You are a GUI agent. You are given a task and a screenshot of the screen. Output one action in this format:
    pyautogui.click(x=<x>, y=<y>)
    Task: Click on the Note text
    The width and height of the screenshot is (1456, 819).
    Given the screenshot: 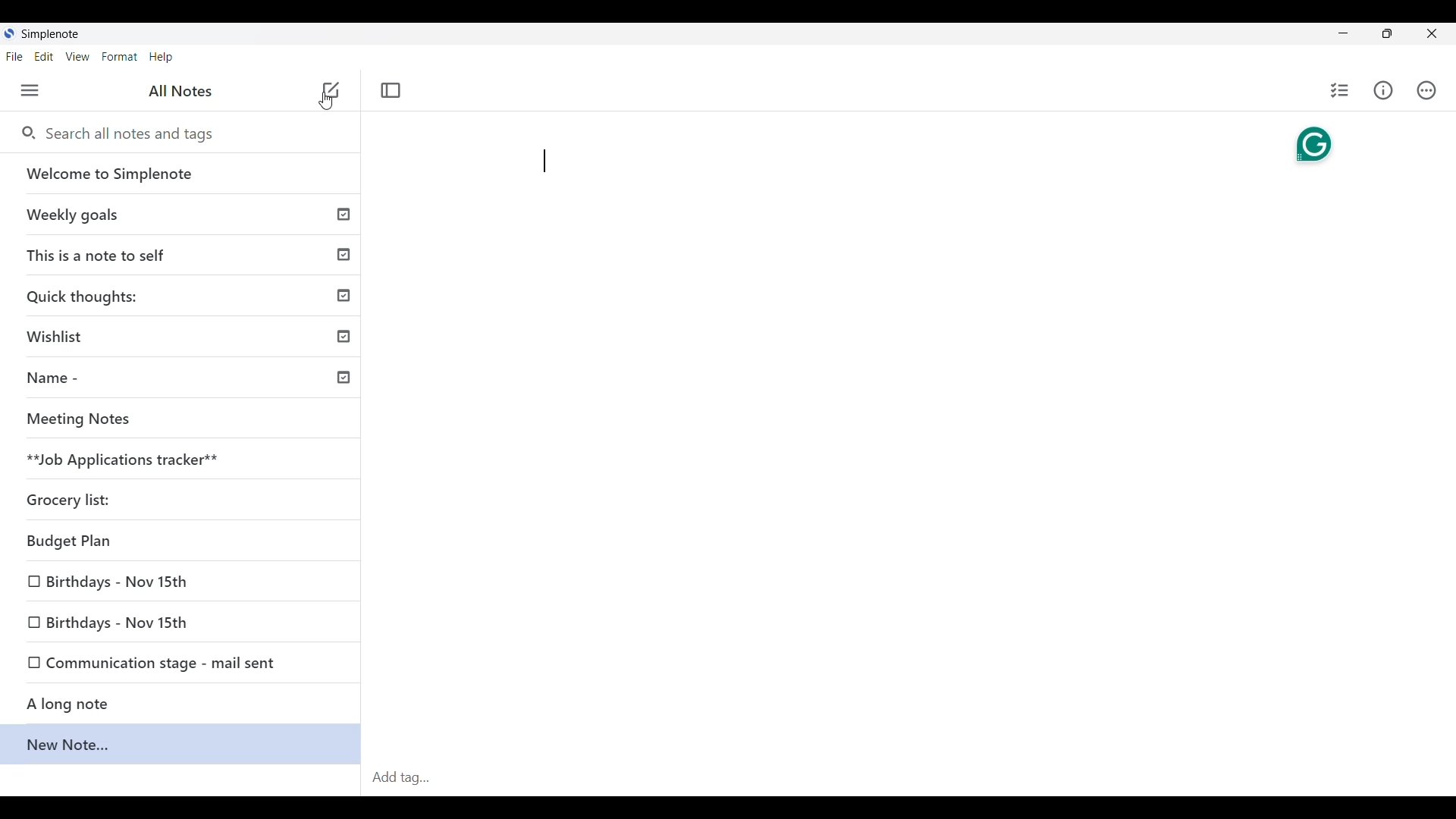 What is the action you would take?
    pyautogui.click(x=830, y=444)
    